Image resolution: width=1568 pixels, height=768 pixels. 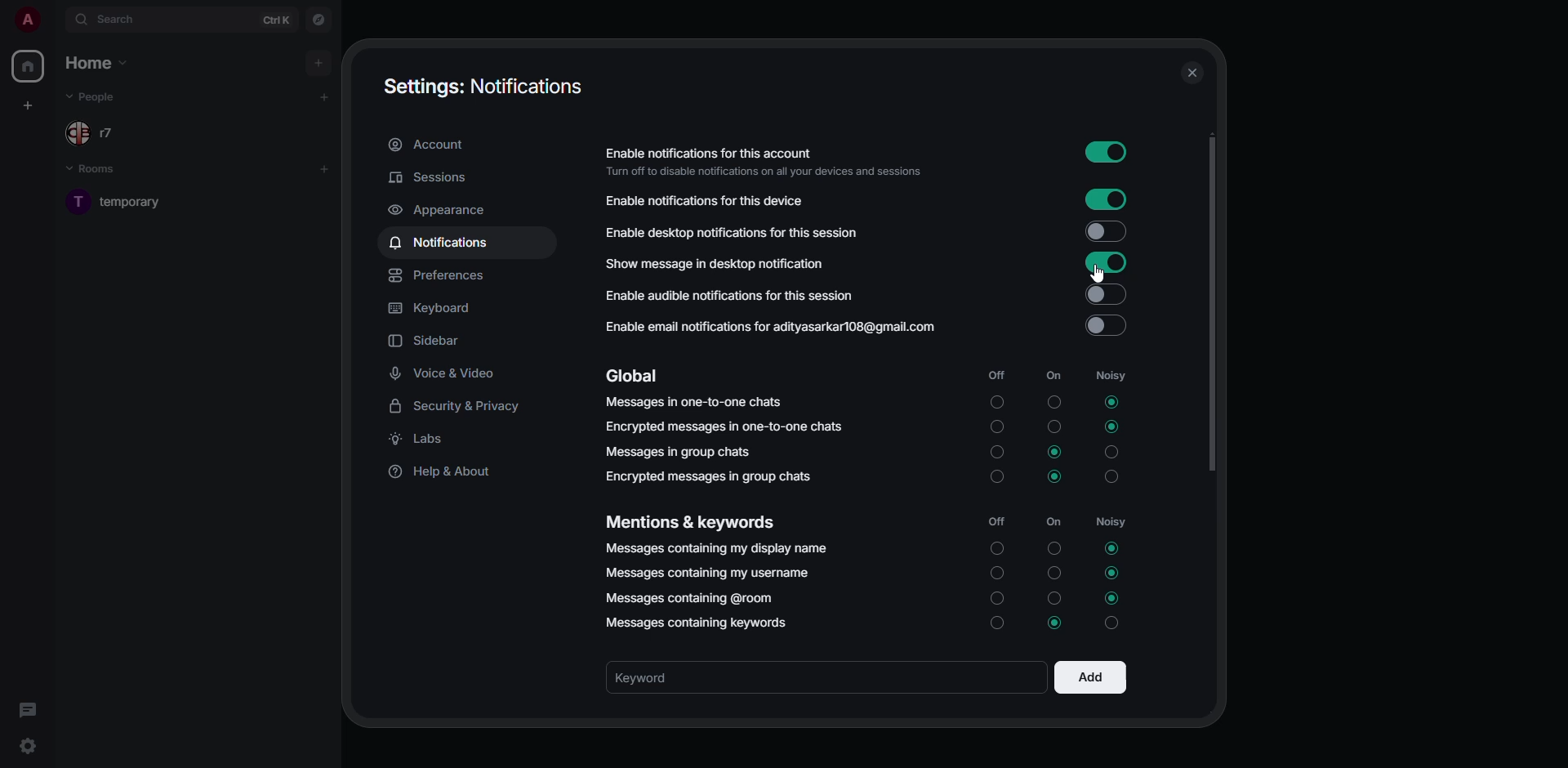 I want to click on quick settings, so click(x=28, y=745).